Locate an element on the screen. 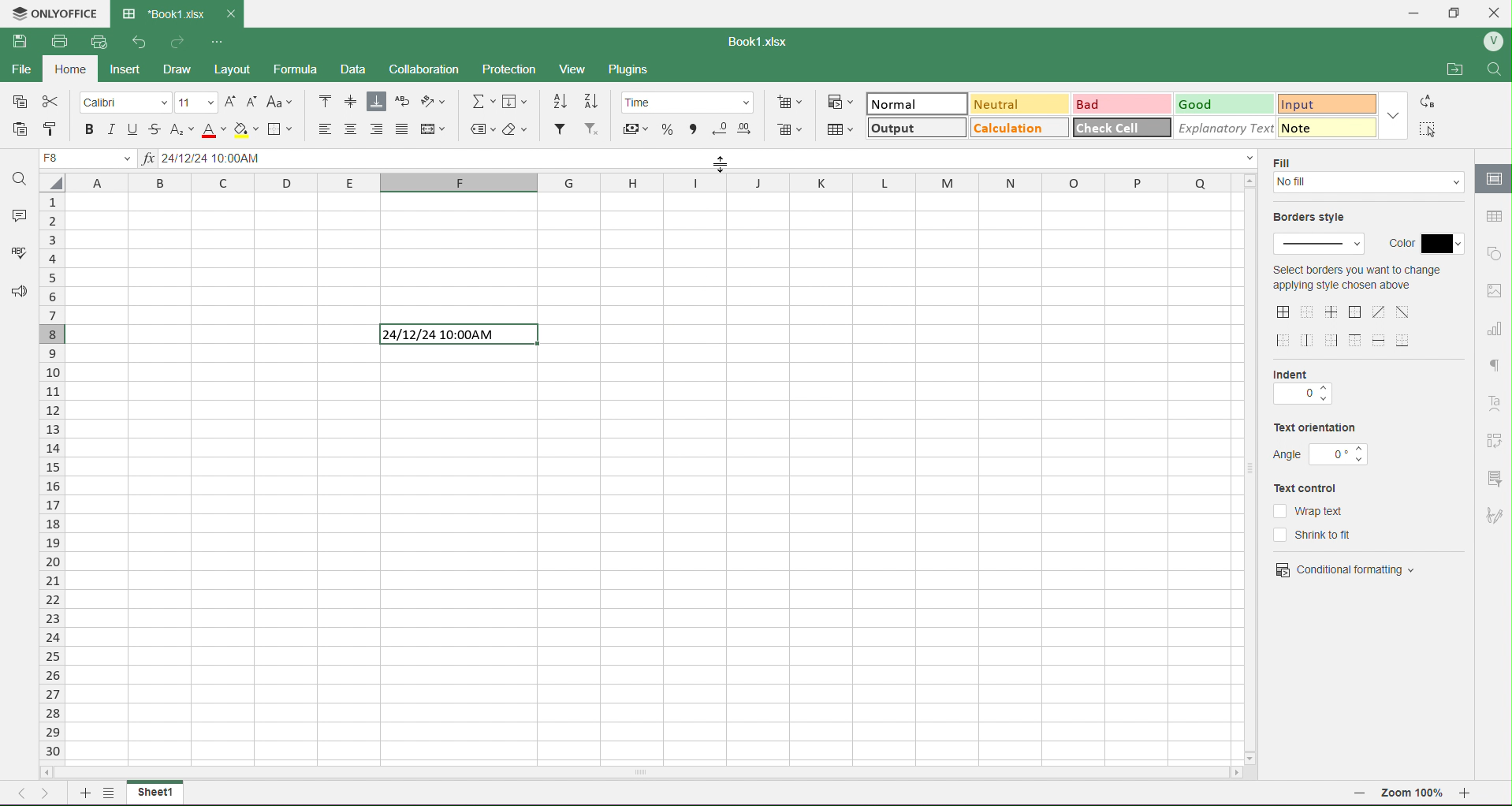 Image resolution: width=1512 pixels, height=806 pixels. Format as template is located at coordinates (840, 129).